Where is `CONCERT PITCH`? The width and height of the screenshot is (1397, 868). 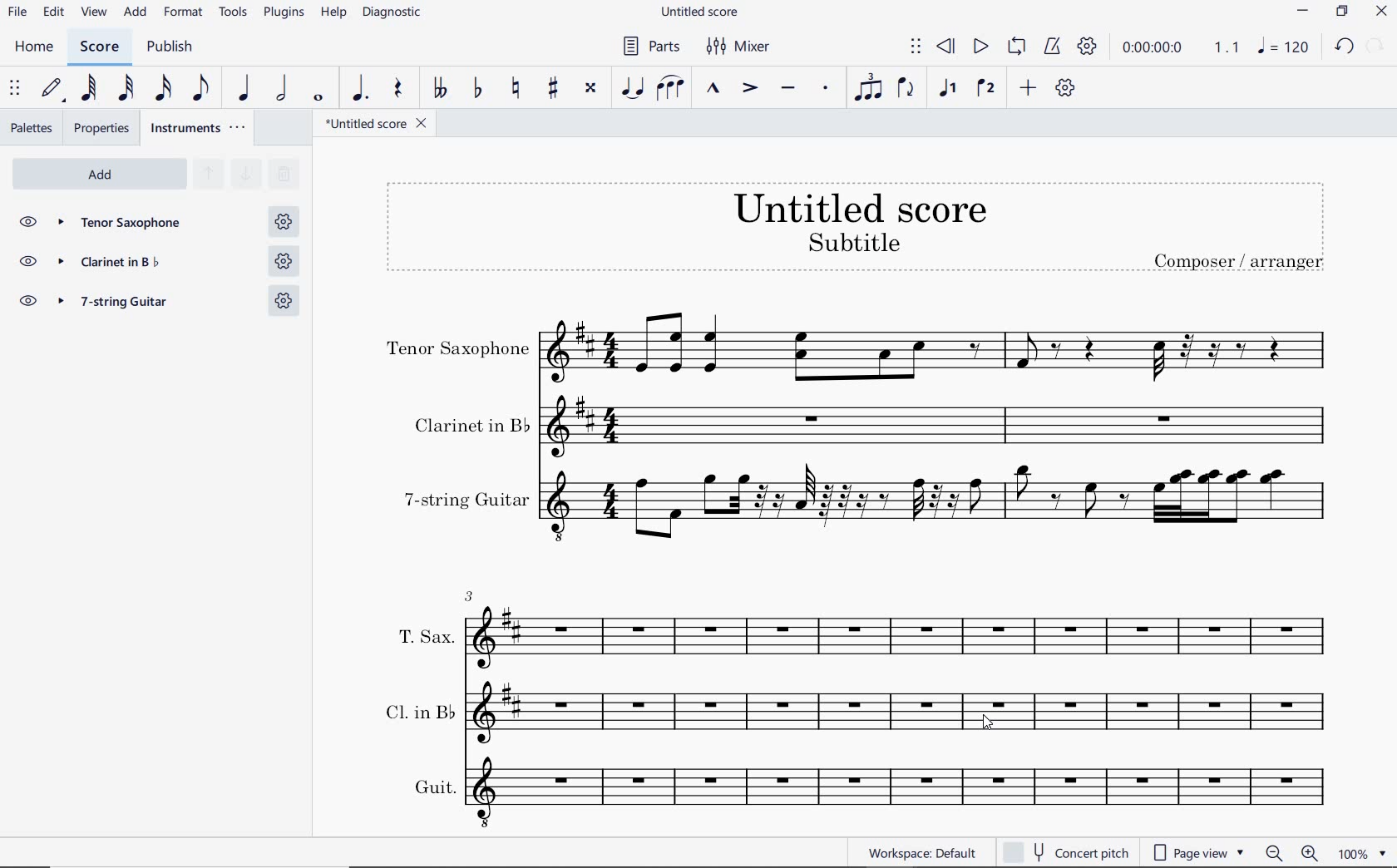 CONCERT PITCH is located at coordinates (1064, 852).